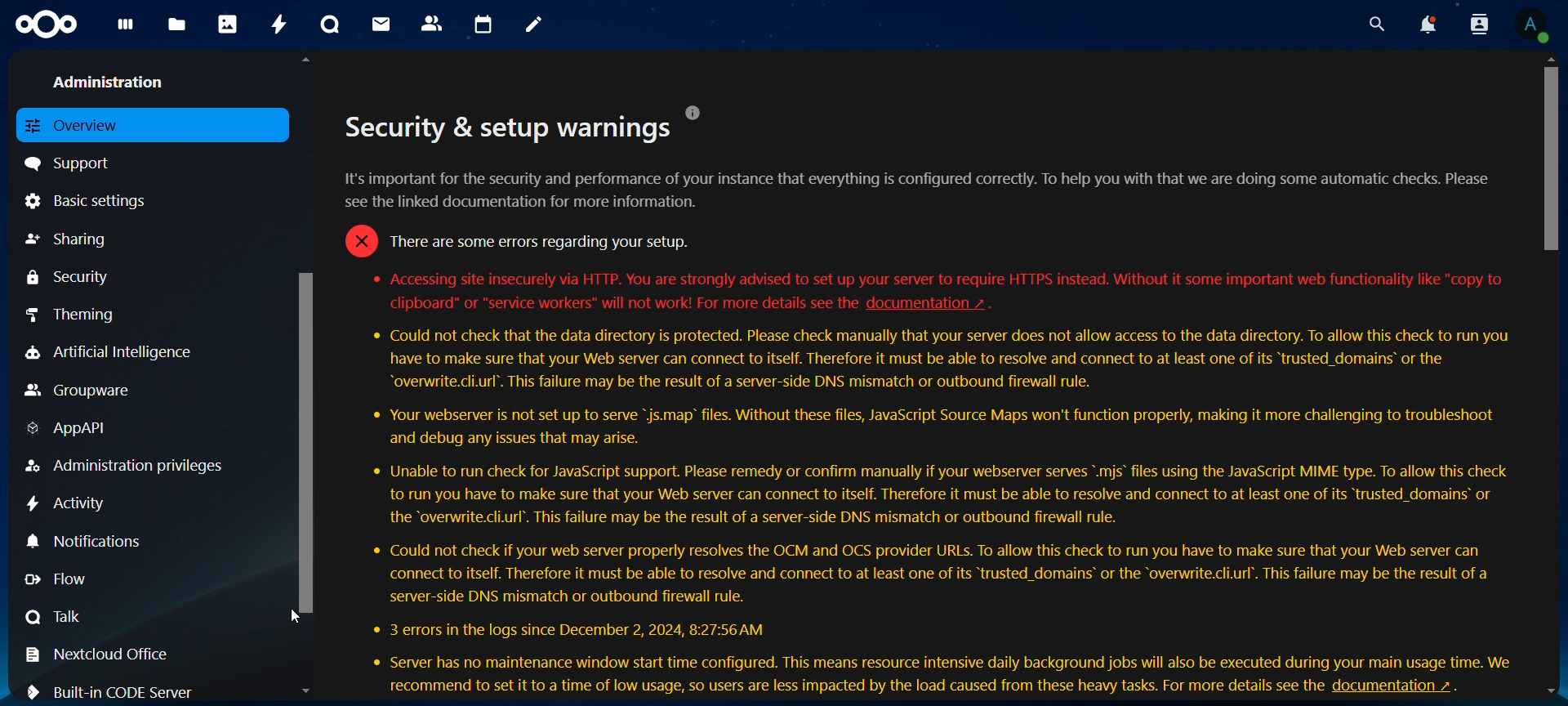 The height and width of the screenshot is (706, 1568). Describe the element at coordinates (935, 378) in the screenshot. I see `. . [J]
Security & setup warnings
It's important for the security and performance of your instance that everything is configured correctly. To help you with that we are doing some automatic checks. Please
see the linked documentation for more information.
x] There are some errors regarding your setup.

* Accessing site insecurely via HTTP. You are strongly advised to set up your server to require HTTPS instead. Without it some important web functionality like “copy to
clipboard” or "service workers" will not work! For more details see the documentation ~ .

* Could not check that the data directory is protected. Please check manually that your server does not allow access to the data directory. To allow this check to run you
have to make sure that your Web server can connect to itself. Therefore it must be able to resolve and connect to at least one of its “trusted_domains™ or the
“overwrite.cli.url”. This failure may be the result of a server-side DNS mismatch or outbound firewall rule.

* Your webserver is not set up to serve "js.map’ files. Without these files, JavaScript Source Maps won't function properly, making it more challenging to troubleshoot
and debug any issues that may arise.

* Unable to run check for JavaScript support. Please remedy or confirm manually if your webserver serves "mjs’ files using the JavaScript MIME type. To allow this check
to run you have to make sure that your Web server can connect to itself. Therefore it must be able to resolve and connect to at least one of its “trusted_domains’ or

] the “overwrite.cli.url’. This failure may be the result of a server-side DNS mismatch or outbound firewall rule.

* Could not check if your web server properly resolves the OCM and OCS provider URLs. To allow this check to run you have to make sure that your Web server can
connect to itself. Therefore it must be able to resolve and connect to at least one of its “trusted_domains’ or the “overwrite.cli.url’. This failure may be the result of a
server-side DNS mismatch or outbound firewall rule.

* 3 errors in the logs since December 2, 2024, 8:27:56 AM

* Server has no maintenance window start time configured. This means resource intensive daily background jobs will also be executed during your main usage time. We

~ recommend to set it to a time of low usage, so users are less impacted by the load caused from these heavy tasks. For more details see the documentation ~ .` at that location.